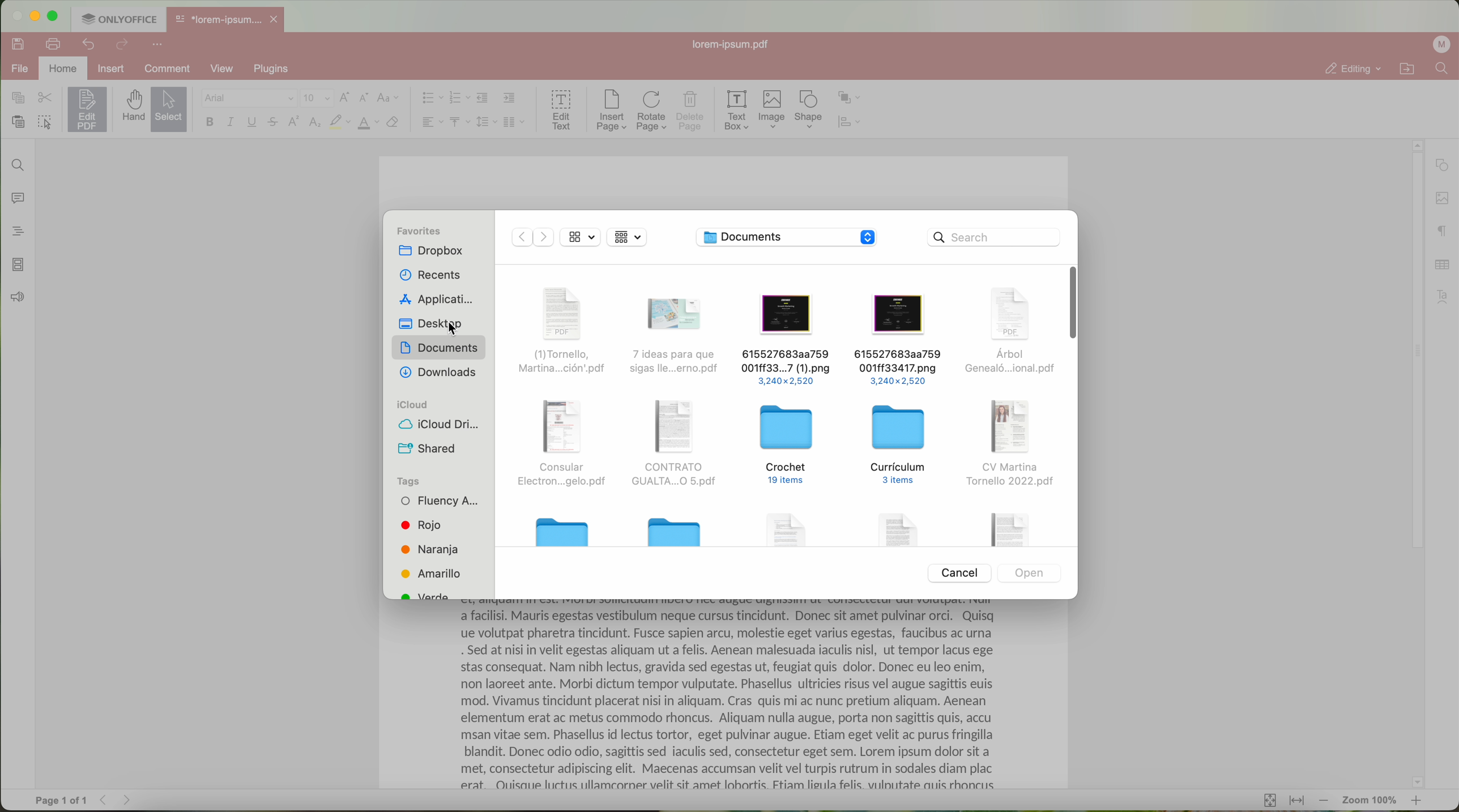 Image resolution: width=1459 pixels, height=812 pixels. Describe the element at coordinates (428, 448) in the screenshot. I see `shared` at that location.